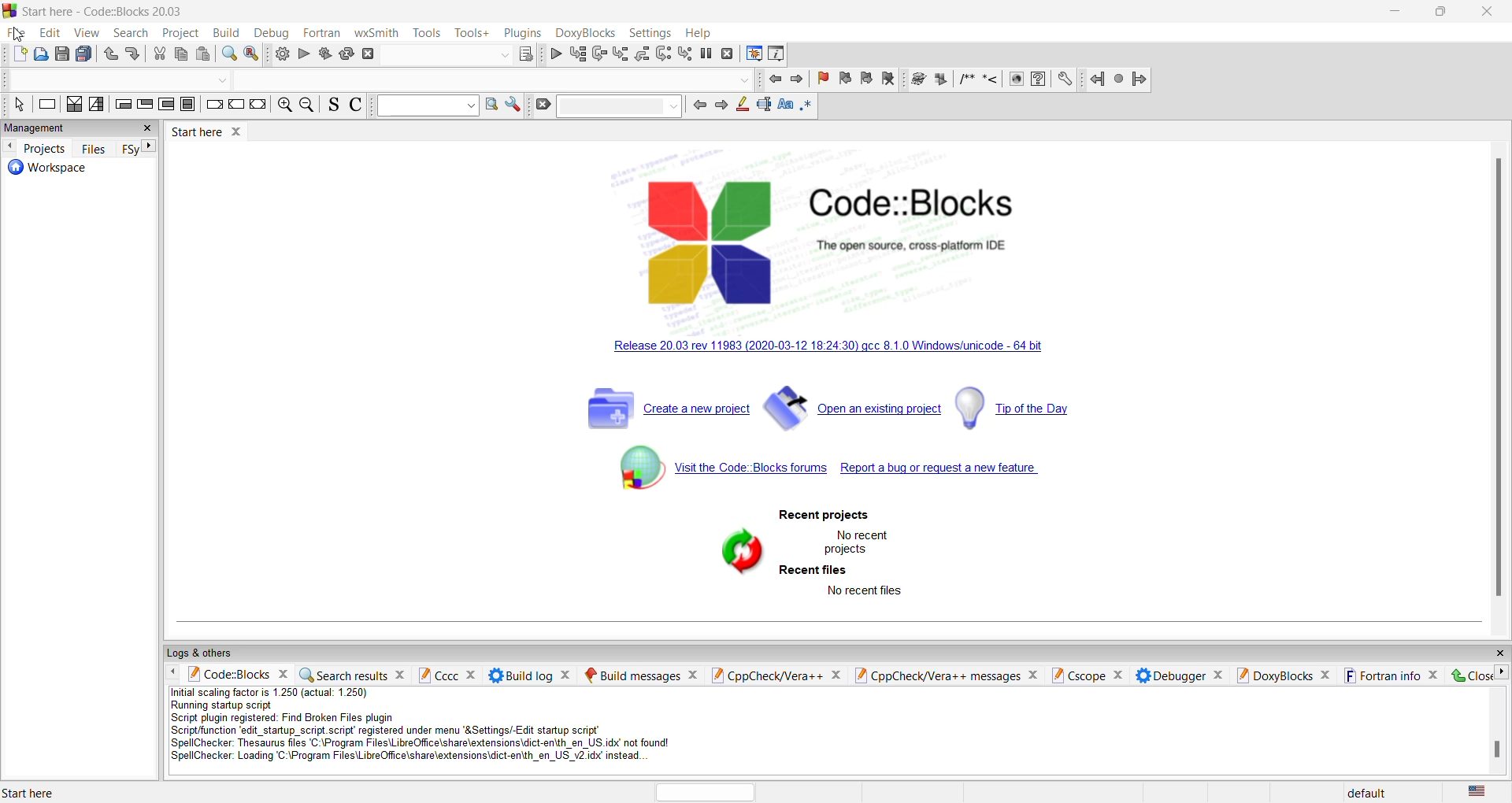 The height and width of the screenshot is (803, 1512). What do you see at coordinates (369, 55) in the screenshot?
I see `abort ` at bounding box center [369, 55].